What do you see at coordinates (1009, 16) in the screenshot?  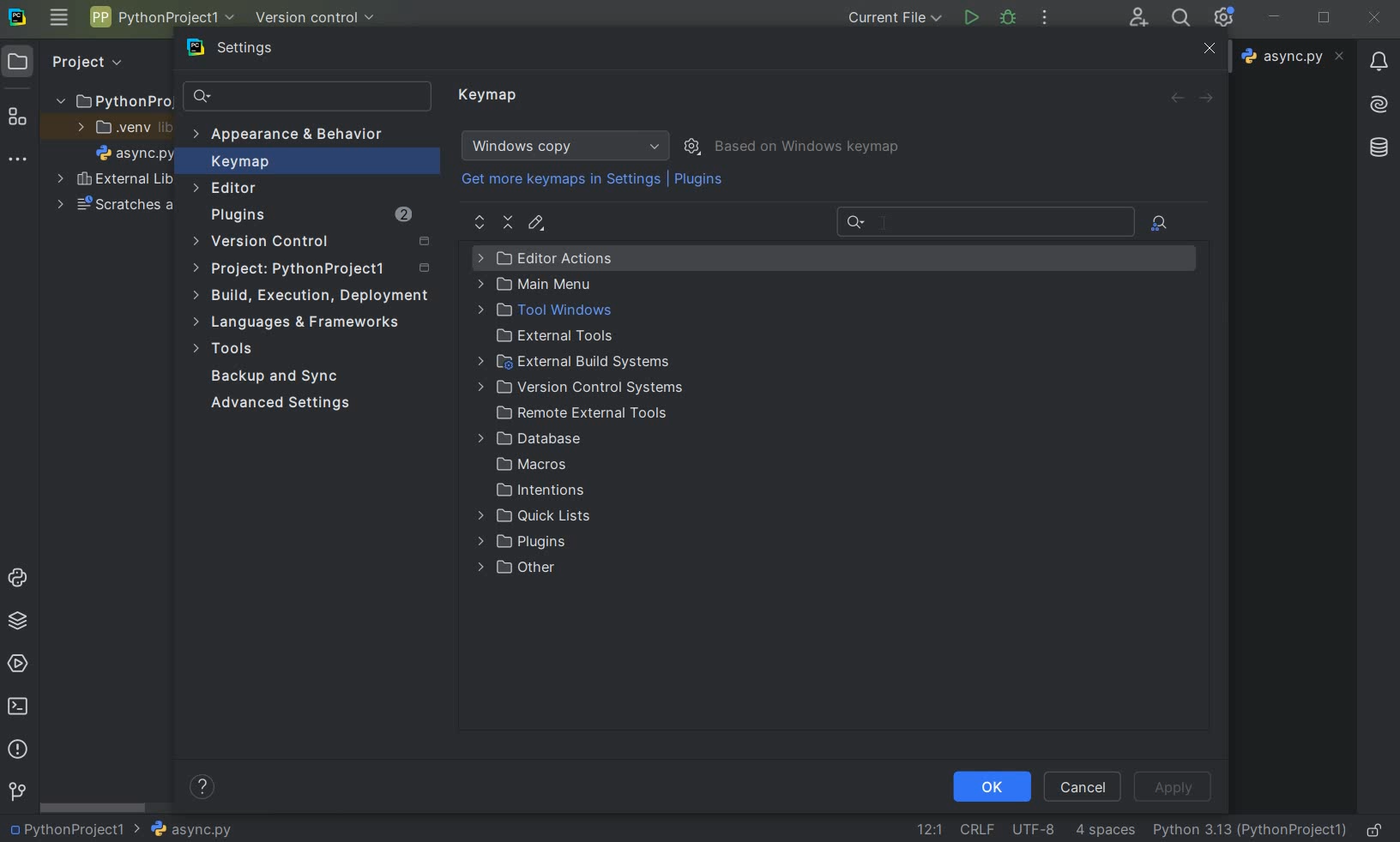 I see `debug` at bounding box center [1009, 16].